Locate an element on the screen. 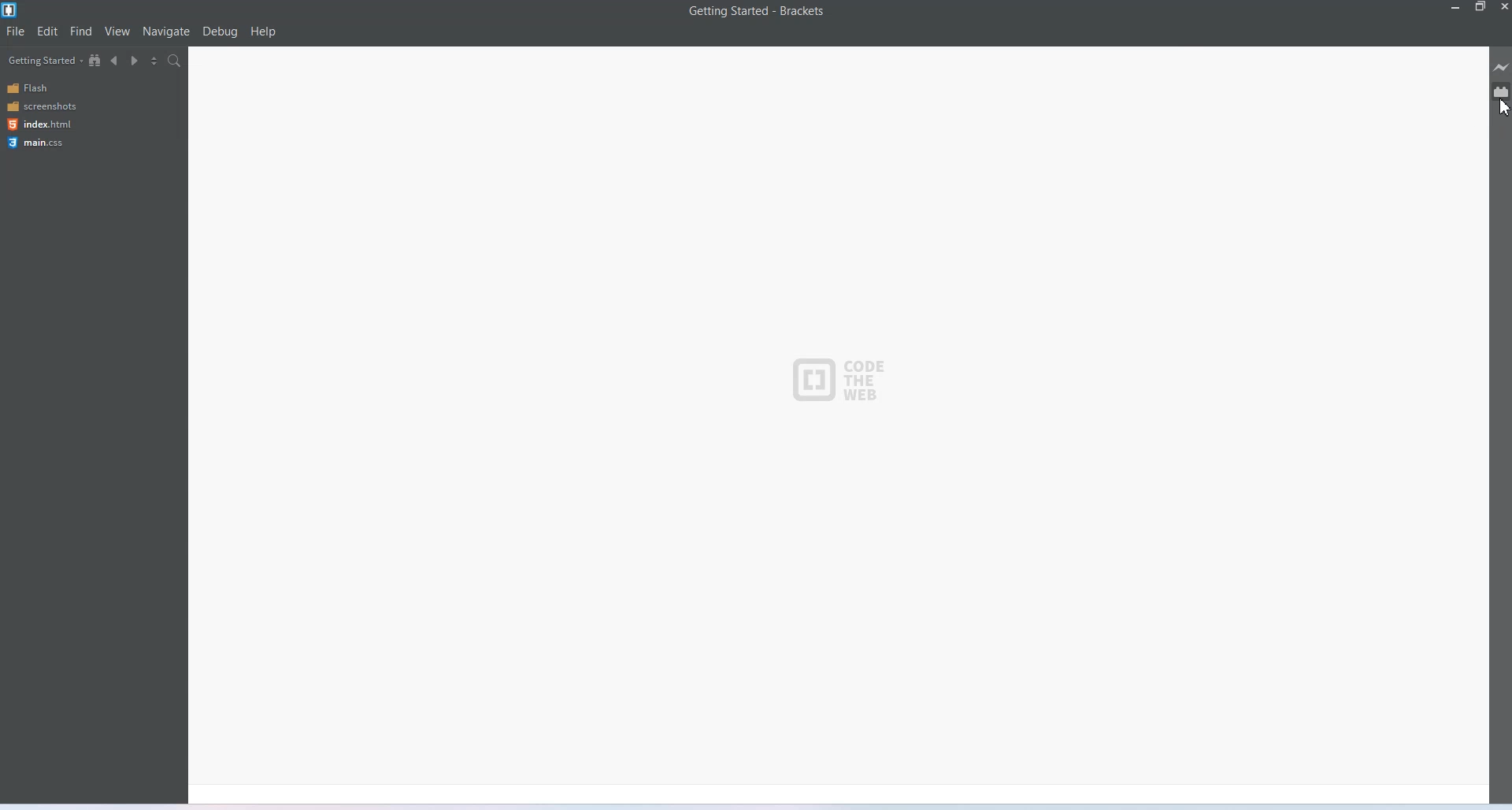 The image size is (1512, 810). Find is located at coordinates (81, 32).